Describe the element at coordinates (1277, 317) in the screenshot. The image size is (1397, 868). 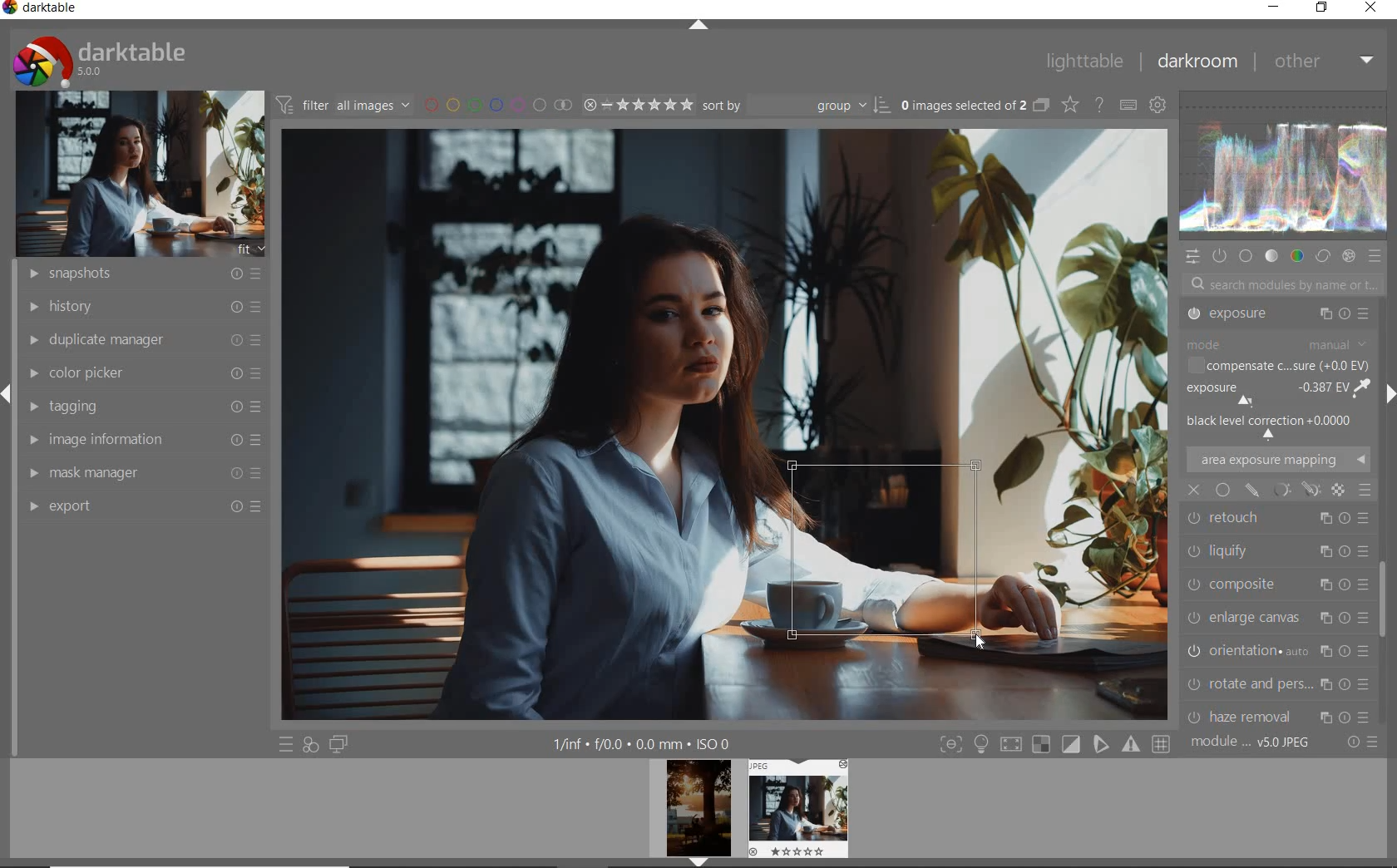
I see `CROP` at that location.